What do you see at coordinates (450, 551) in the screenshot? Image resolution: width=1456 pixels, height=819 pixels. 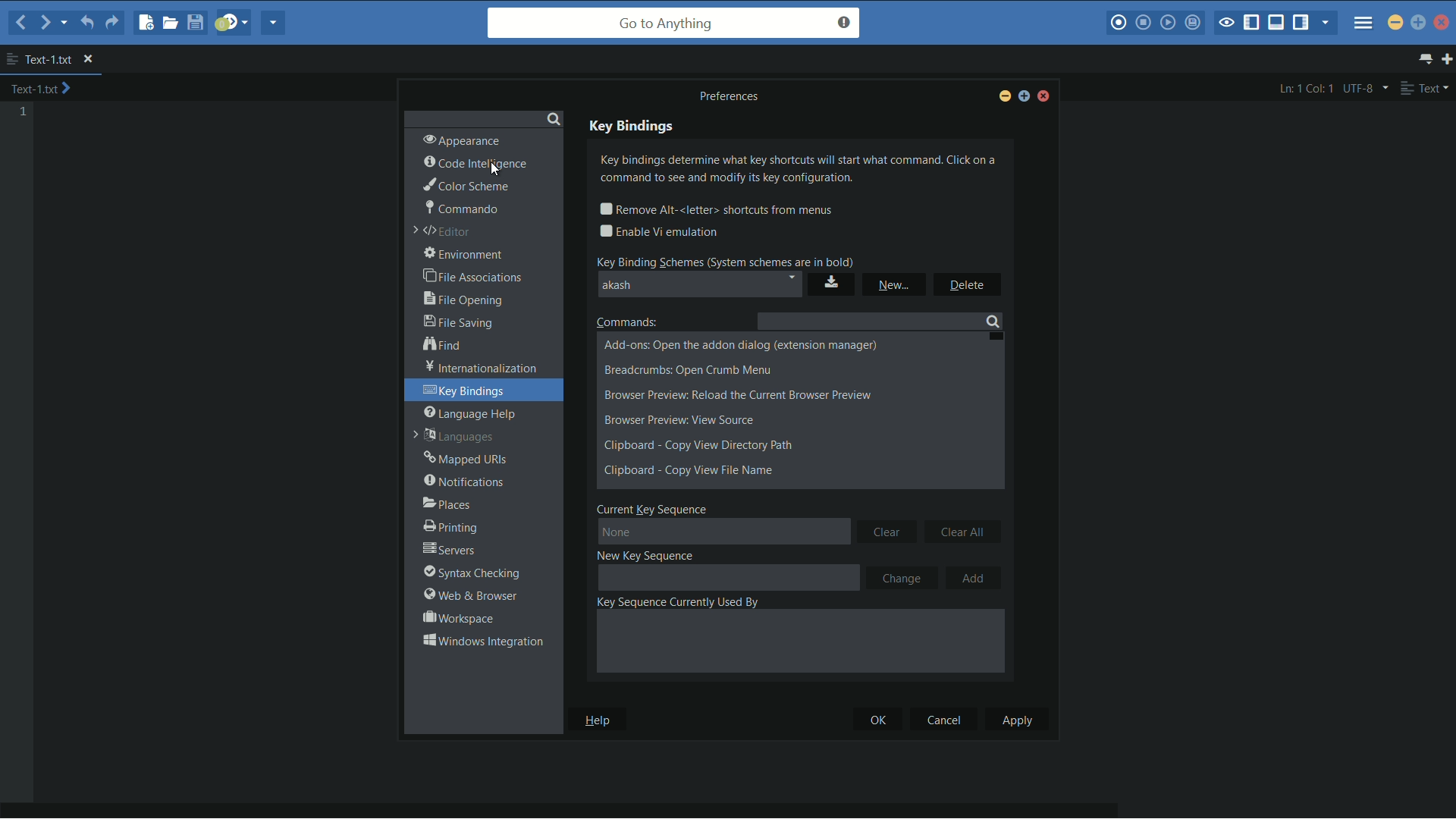 I see `servers` at bounding box center [450, 551].